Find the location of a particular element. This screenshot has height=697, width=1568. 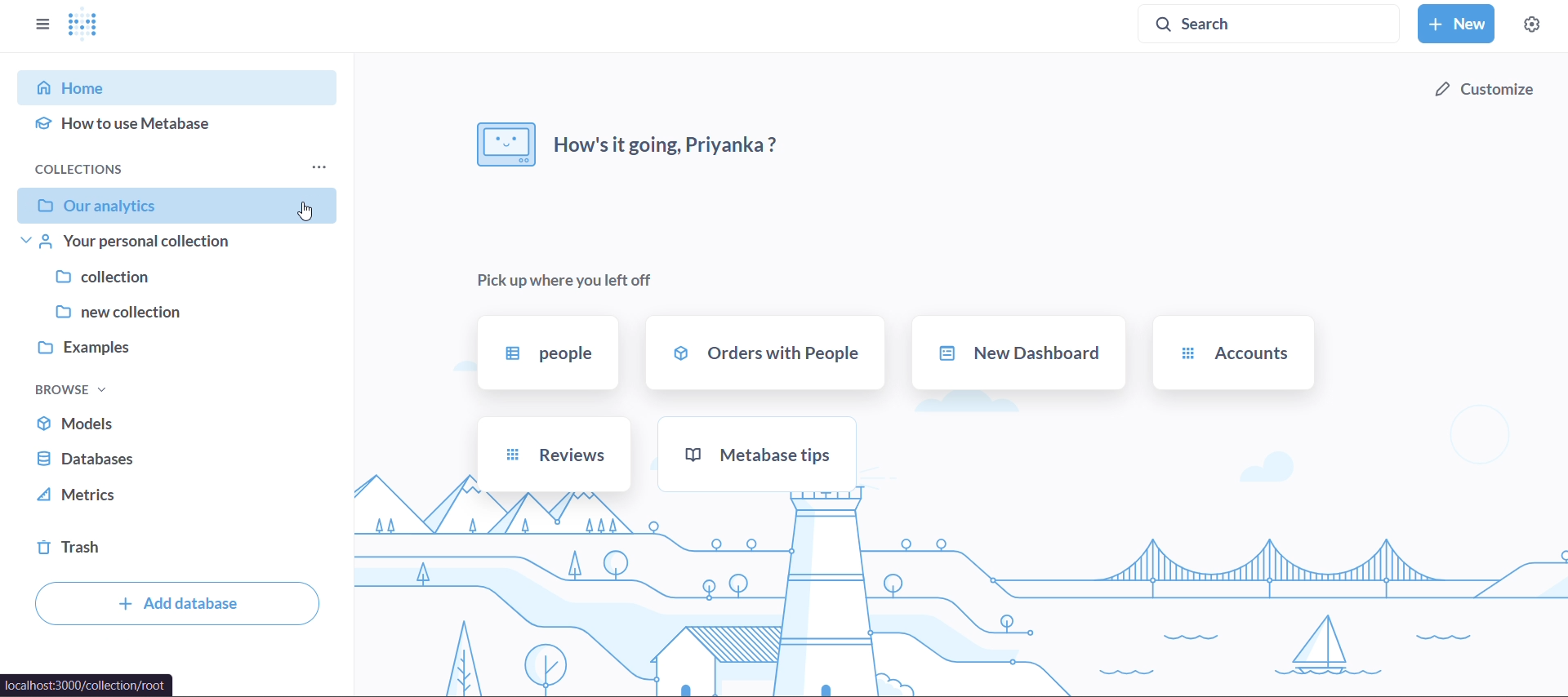

search is located at coordinates (1270, 24).